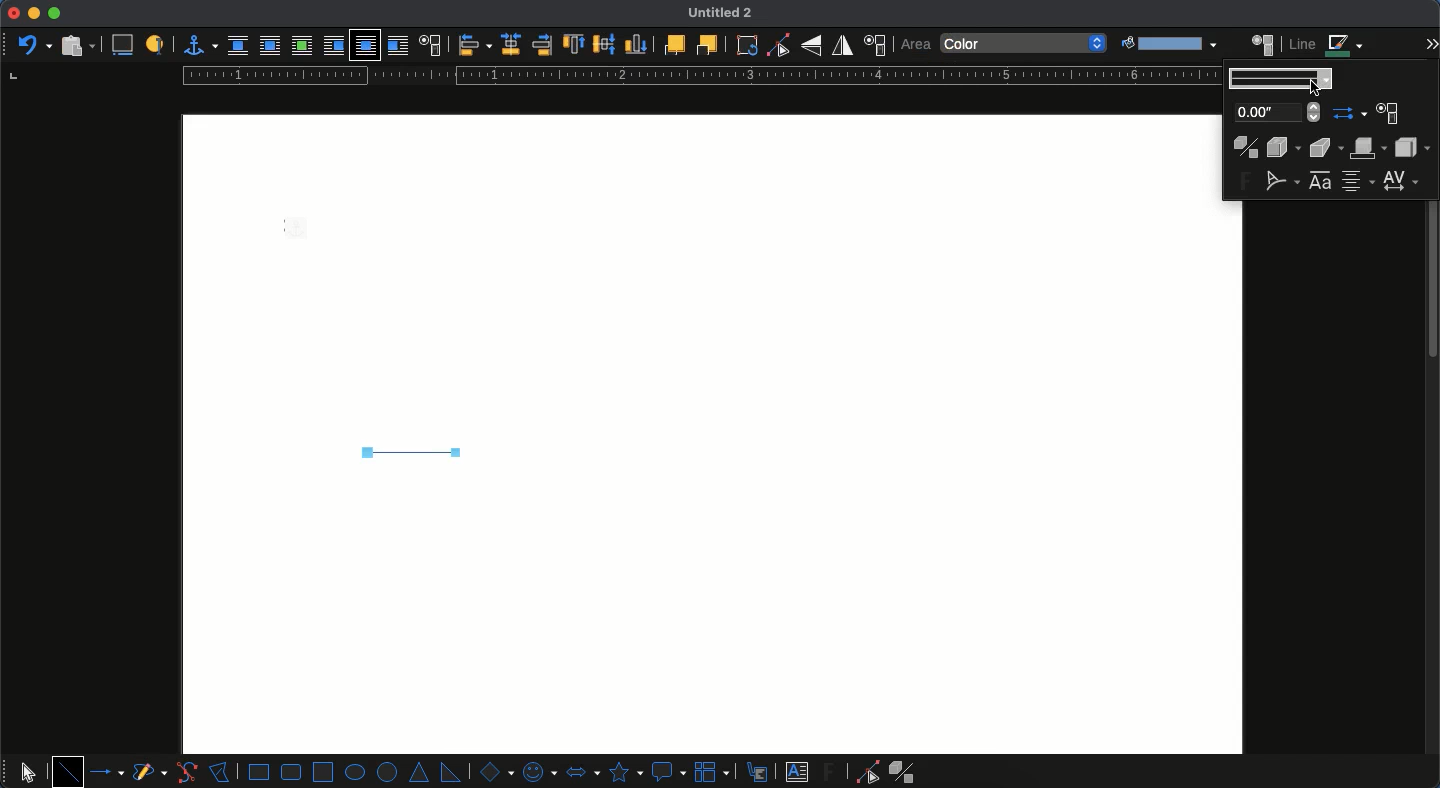  Describe the element at coordinates (1167, 44) in the screenshot. I see `fill color` at that location.